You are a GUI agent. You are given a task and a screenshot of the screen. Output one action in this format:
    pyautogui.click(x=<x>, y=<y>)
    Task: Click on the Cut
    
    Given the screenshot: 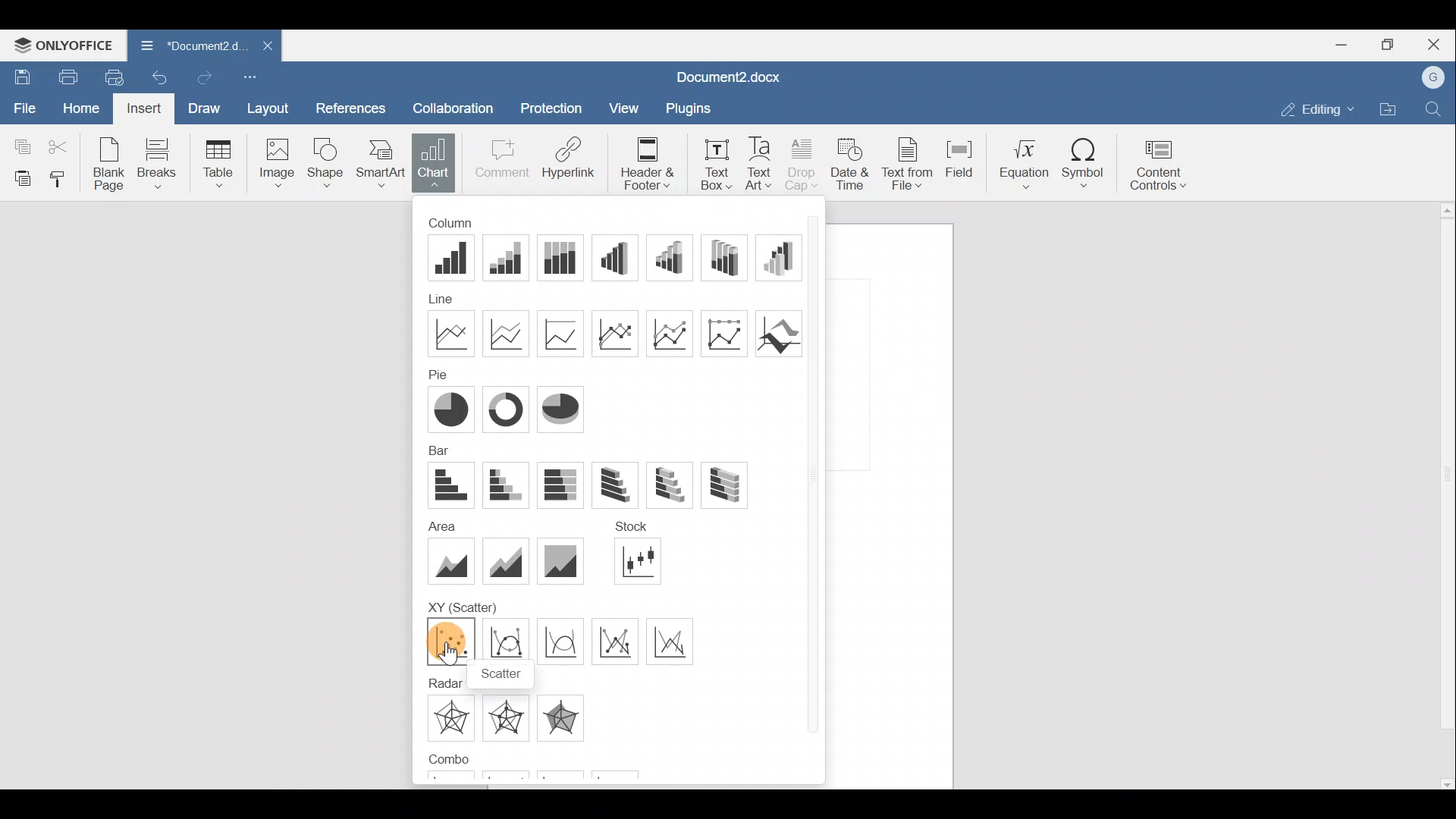 What is the action you would take?
    pyautogui.click(x=61, y=146)
    